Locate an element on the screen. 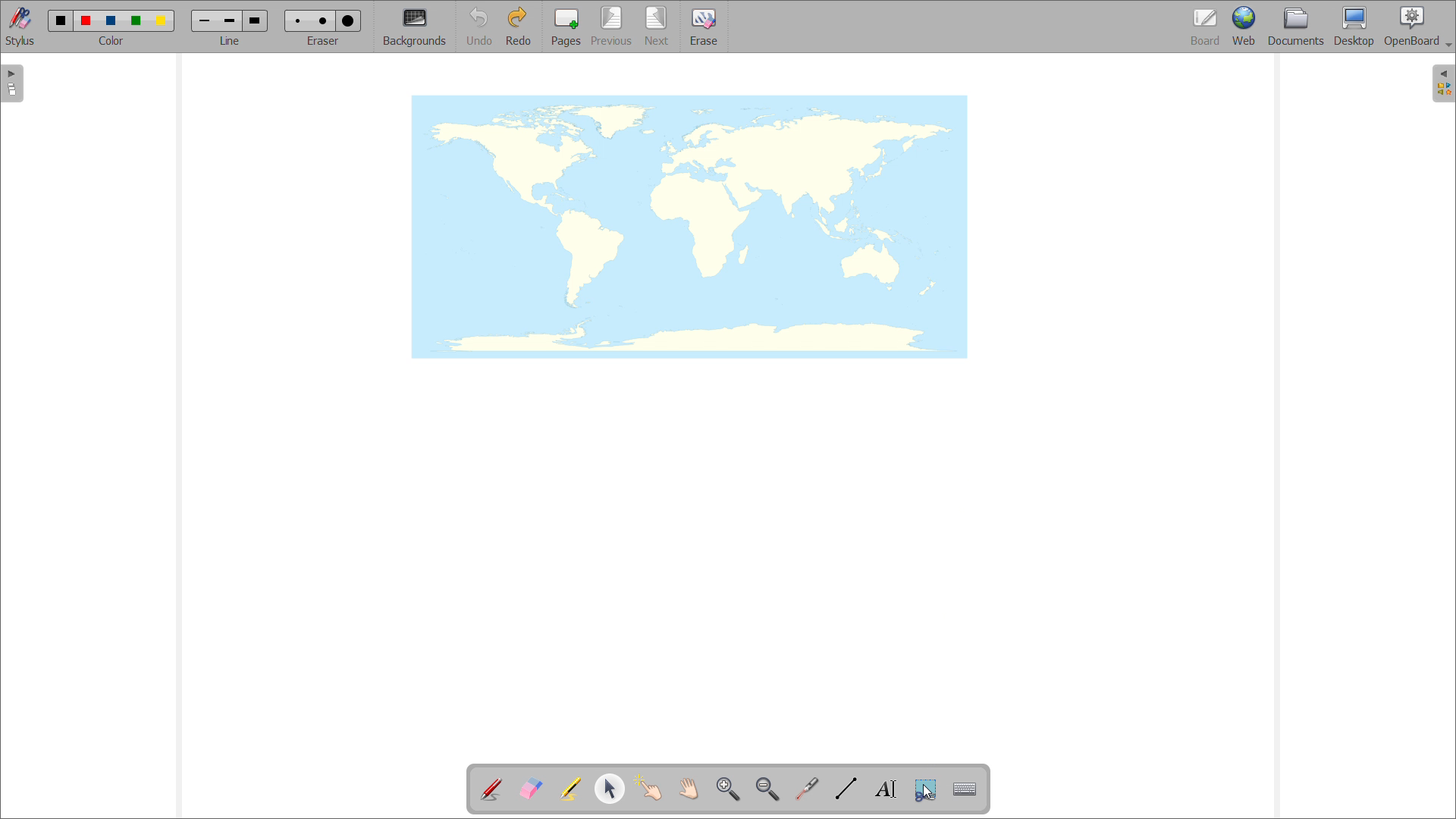 The image size is (1456, 819). zoom in is located at coordinates (728, 789).